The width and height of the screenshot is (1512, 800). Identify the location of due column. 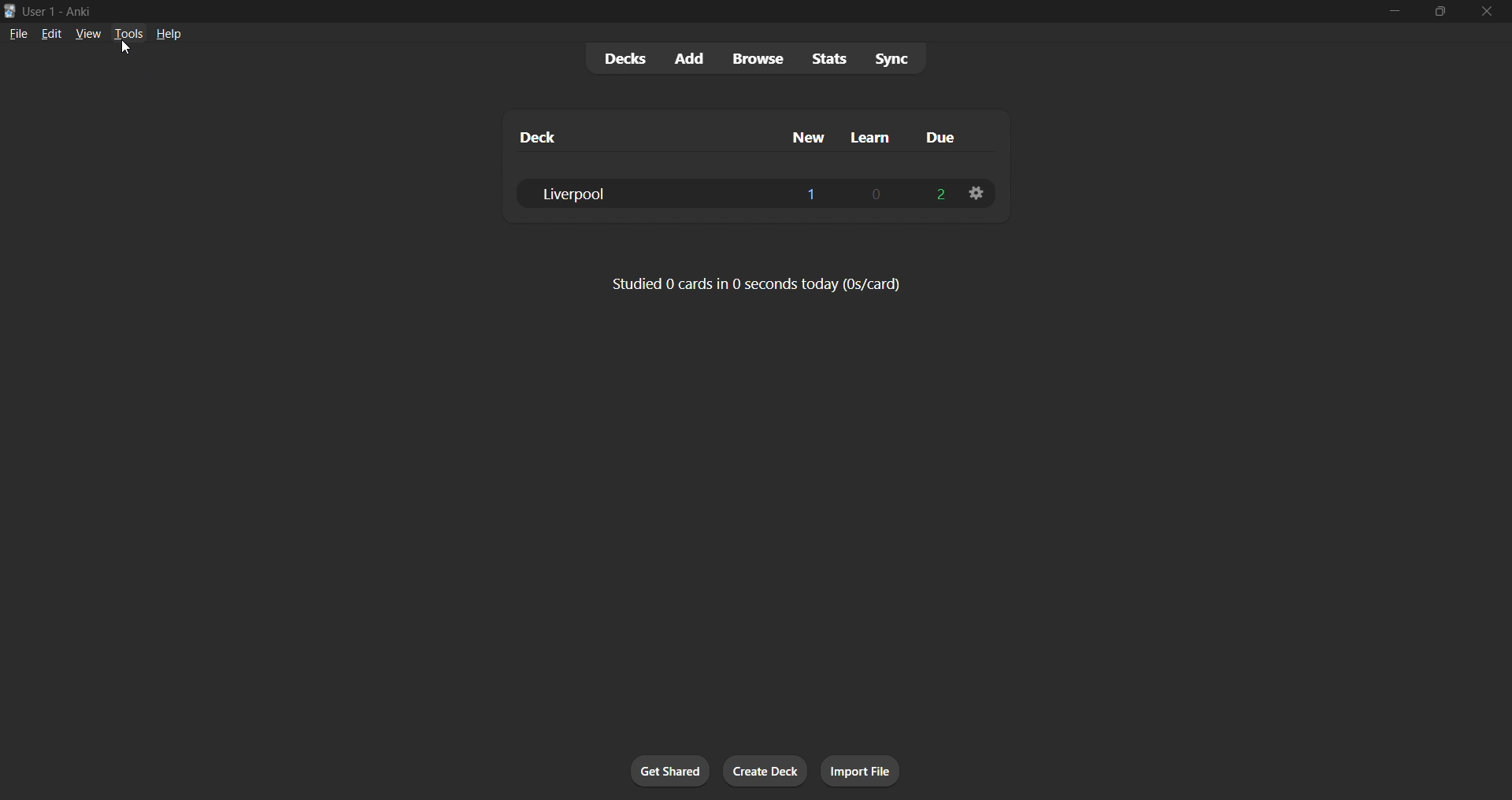
(951, 139).